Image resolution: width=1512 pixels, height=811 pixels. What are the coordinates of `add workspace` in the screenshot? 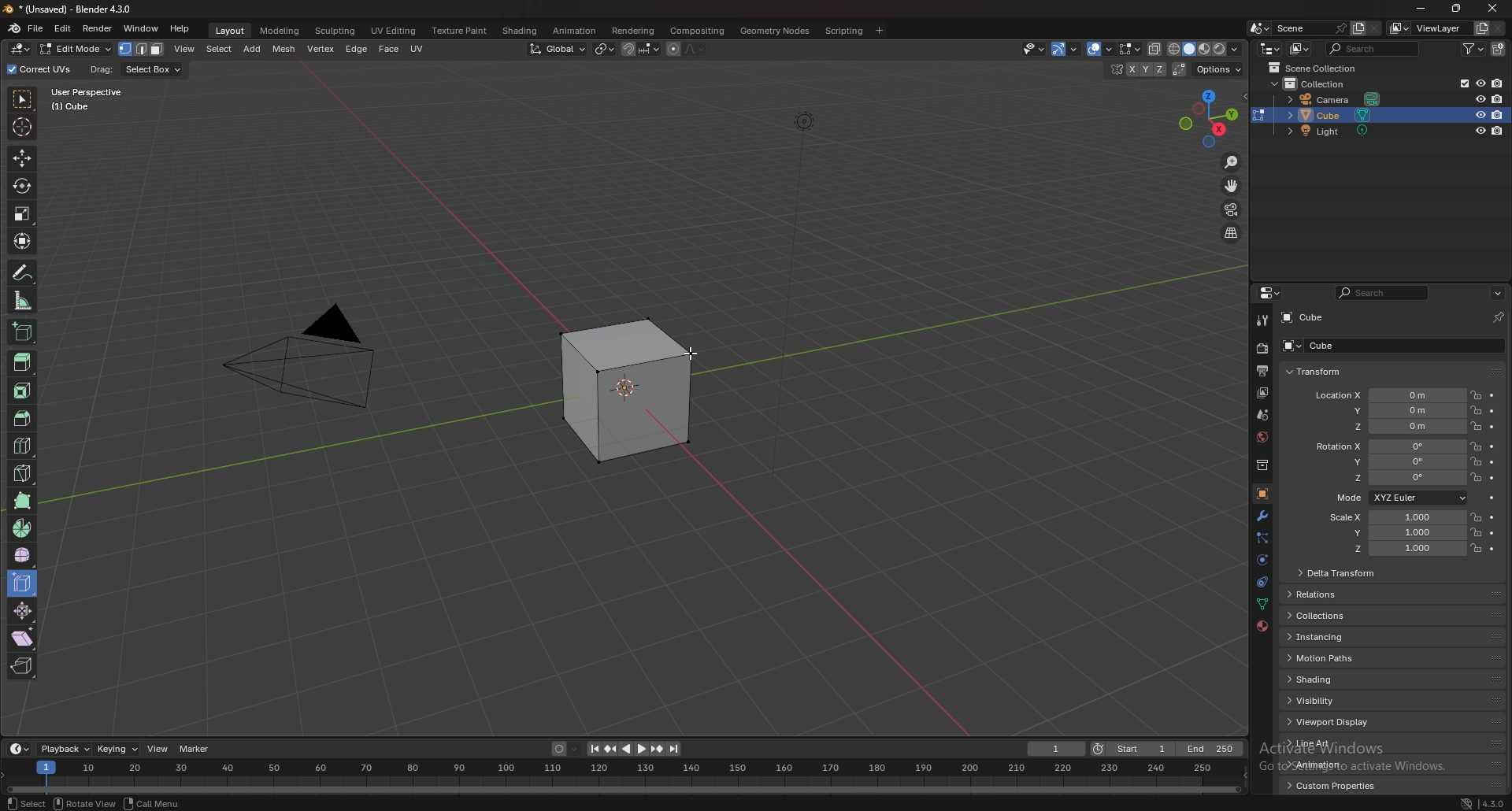 It's located at (880, 31).